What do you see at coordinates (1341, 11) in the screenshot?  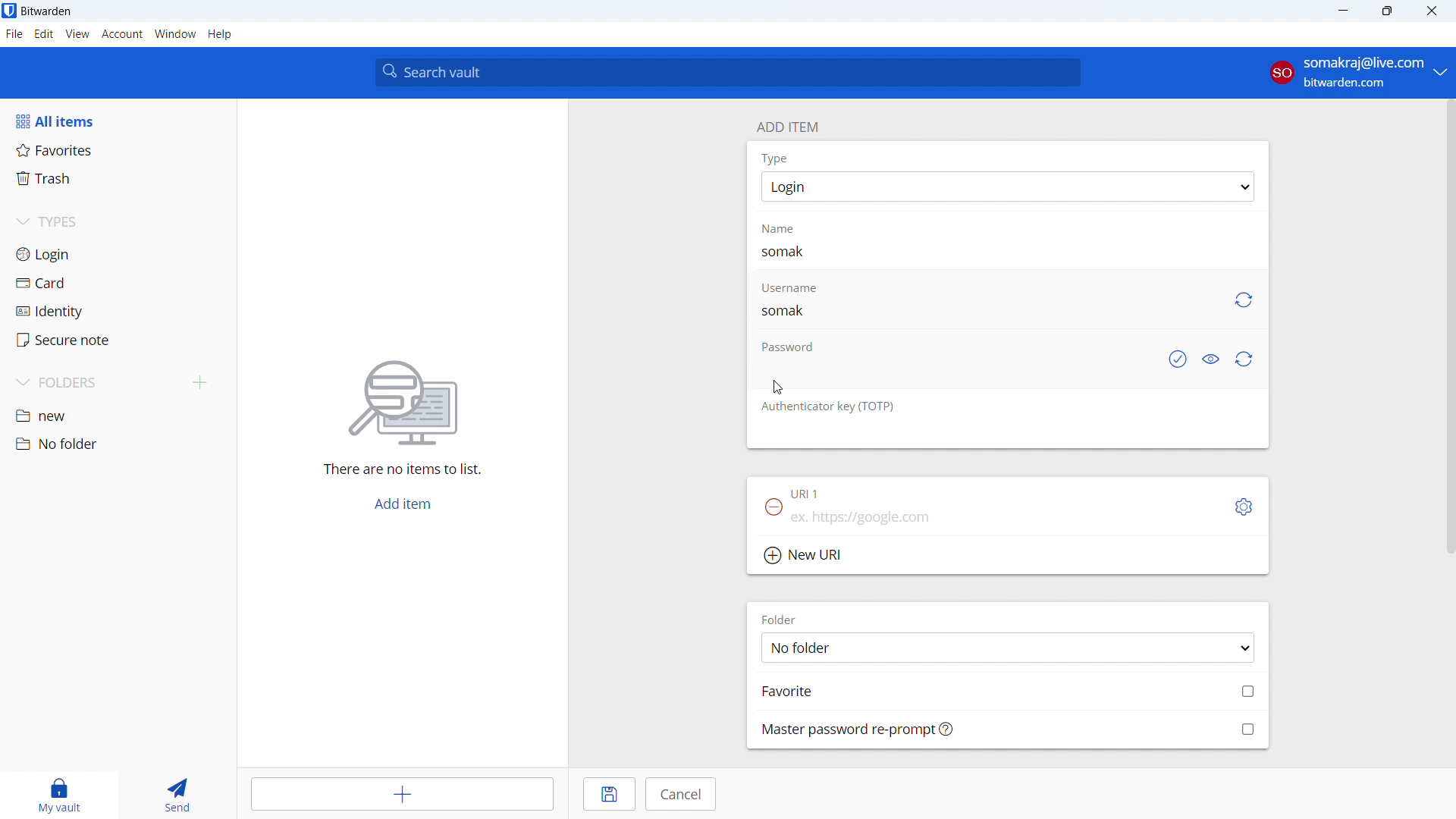 I see `minimize` at bounding box center [1341, 11].